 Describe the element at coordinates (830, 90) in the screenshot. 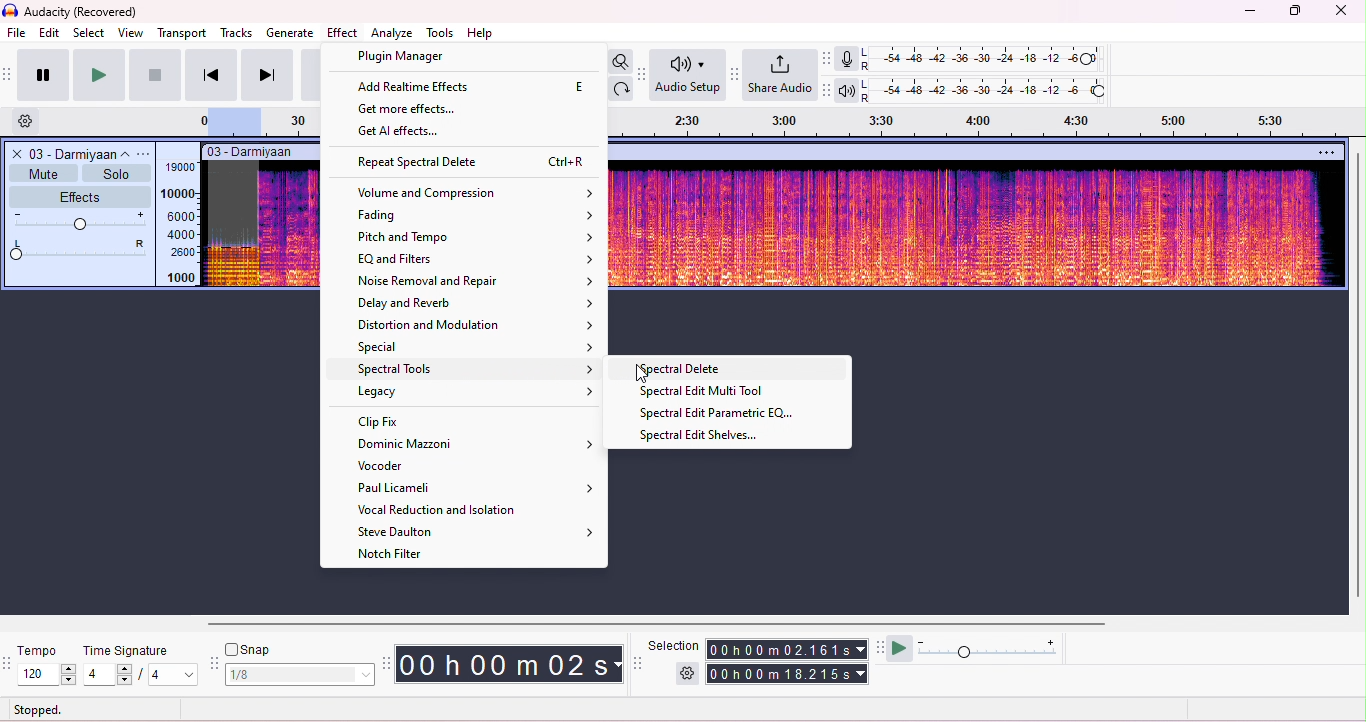

I see `playback meter toolbar` at that location.